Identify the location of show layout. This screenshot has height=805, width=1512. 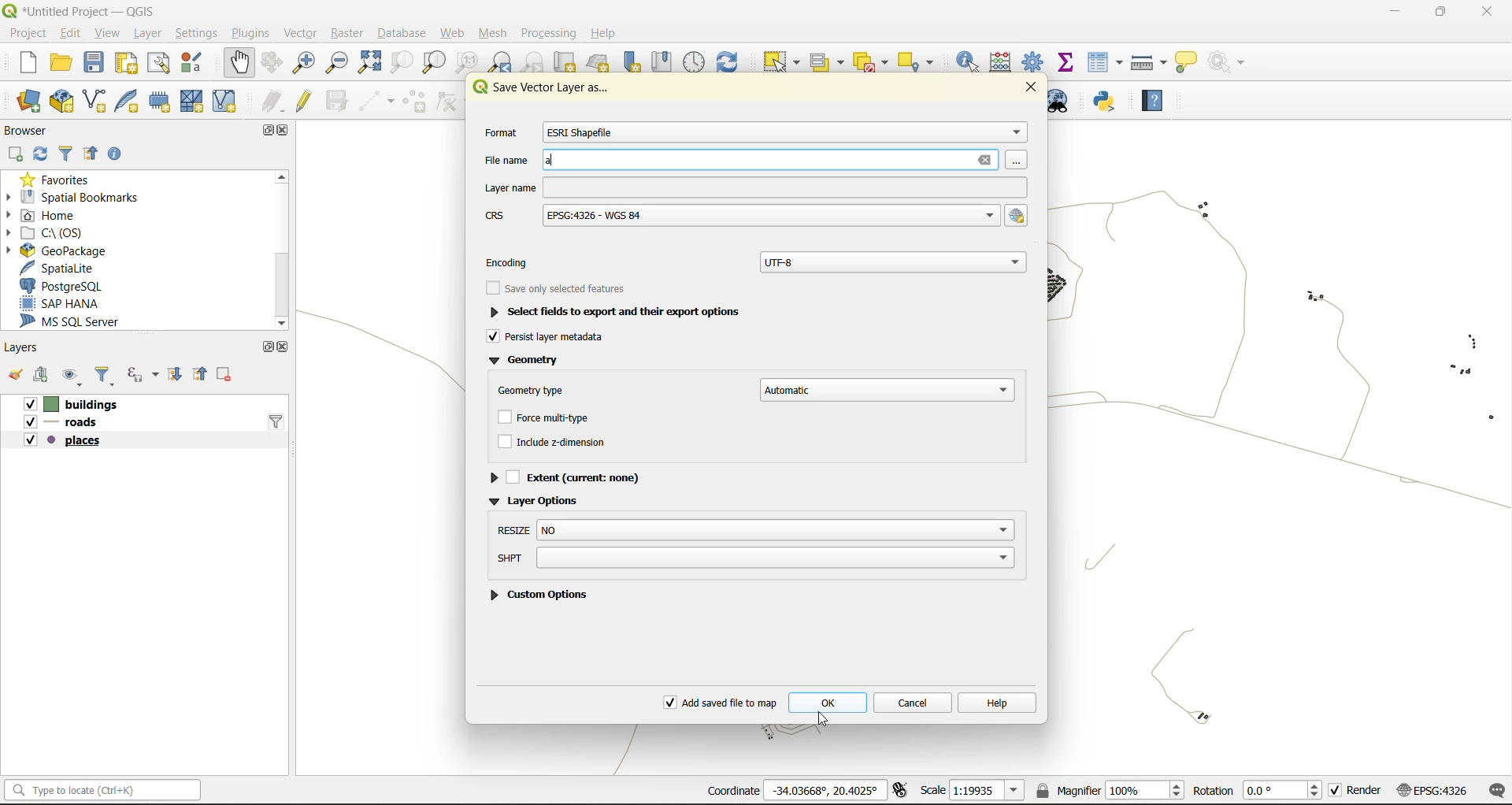
(161, 65).